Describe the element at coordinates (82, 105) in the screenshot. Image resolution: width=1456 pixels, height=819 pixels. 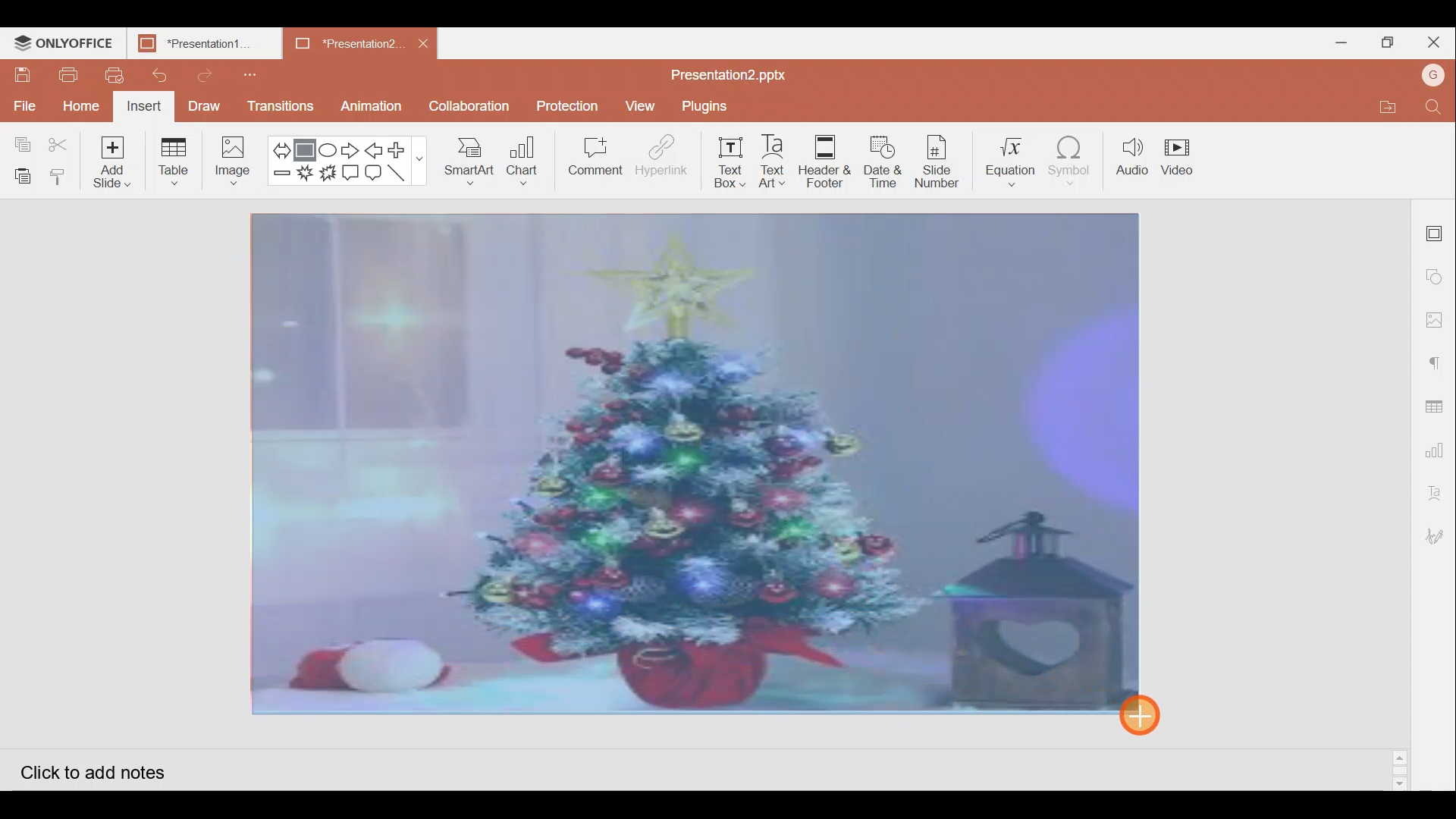
I see `Home` at that location.